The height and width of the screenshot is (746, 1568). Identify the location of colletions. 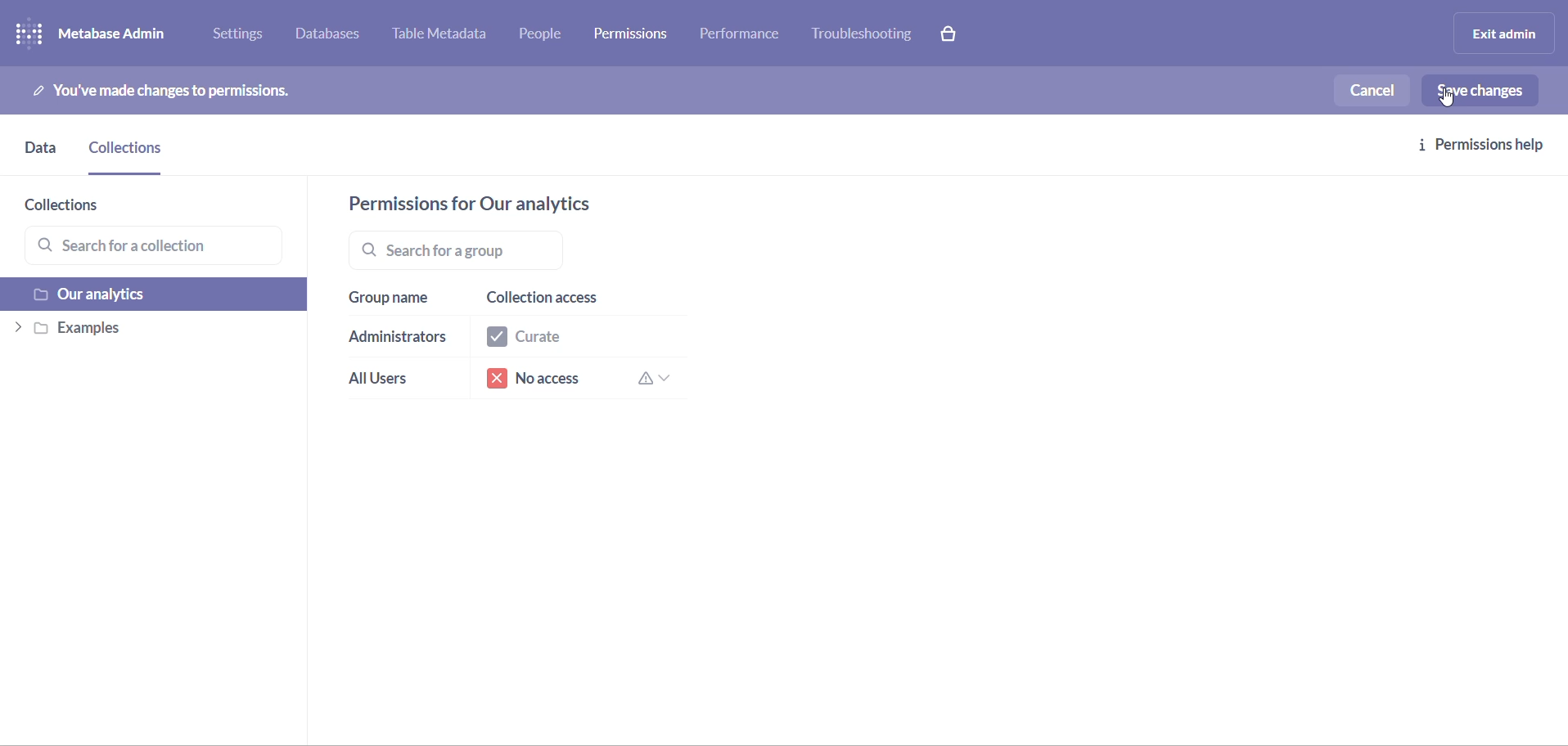
(131, 155).